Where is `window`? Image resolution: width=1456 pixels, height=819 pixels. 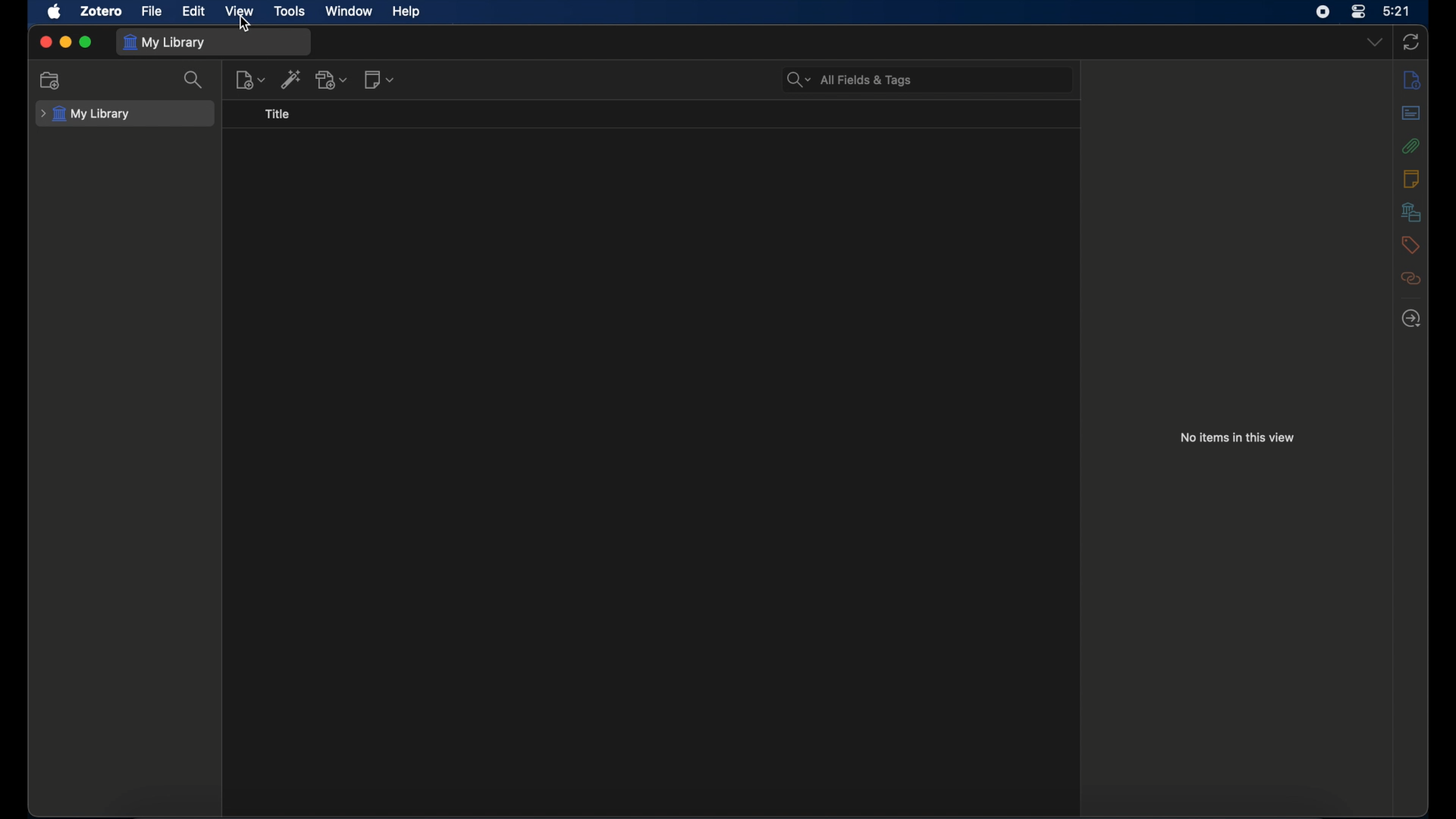 window is located at coordinates (349, 11).